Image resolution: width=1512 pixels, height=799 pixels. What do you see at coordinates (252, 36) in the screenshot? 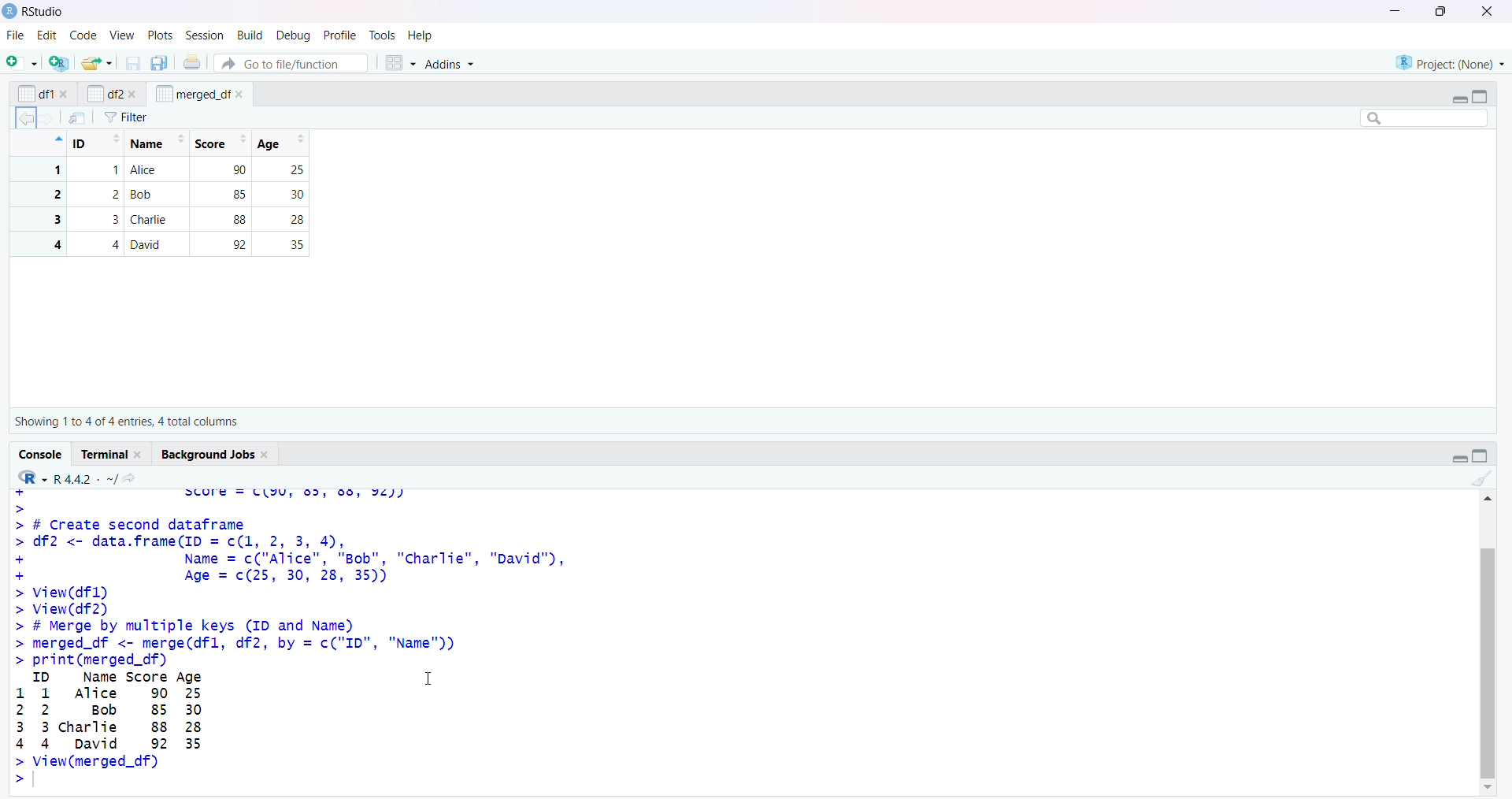
I see `build` at bounding box center [252, 36].